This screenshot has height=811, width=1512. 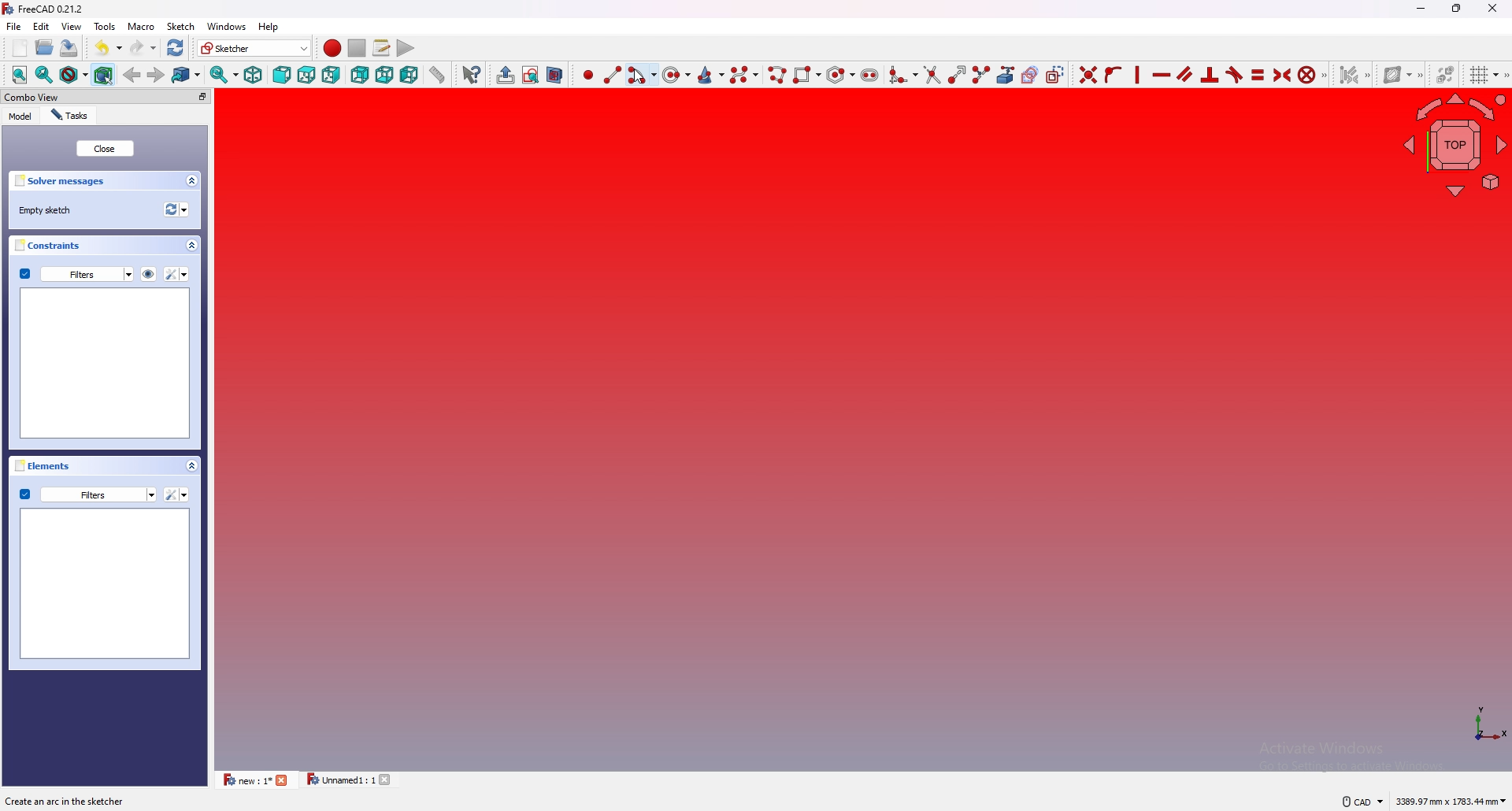 What do you see at coordinates (1482, 724) in the screenshot?
I see `axis` at bounding box center [1482, 724].